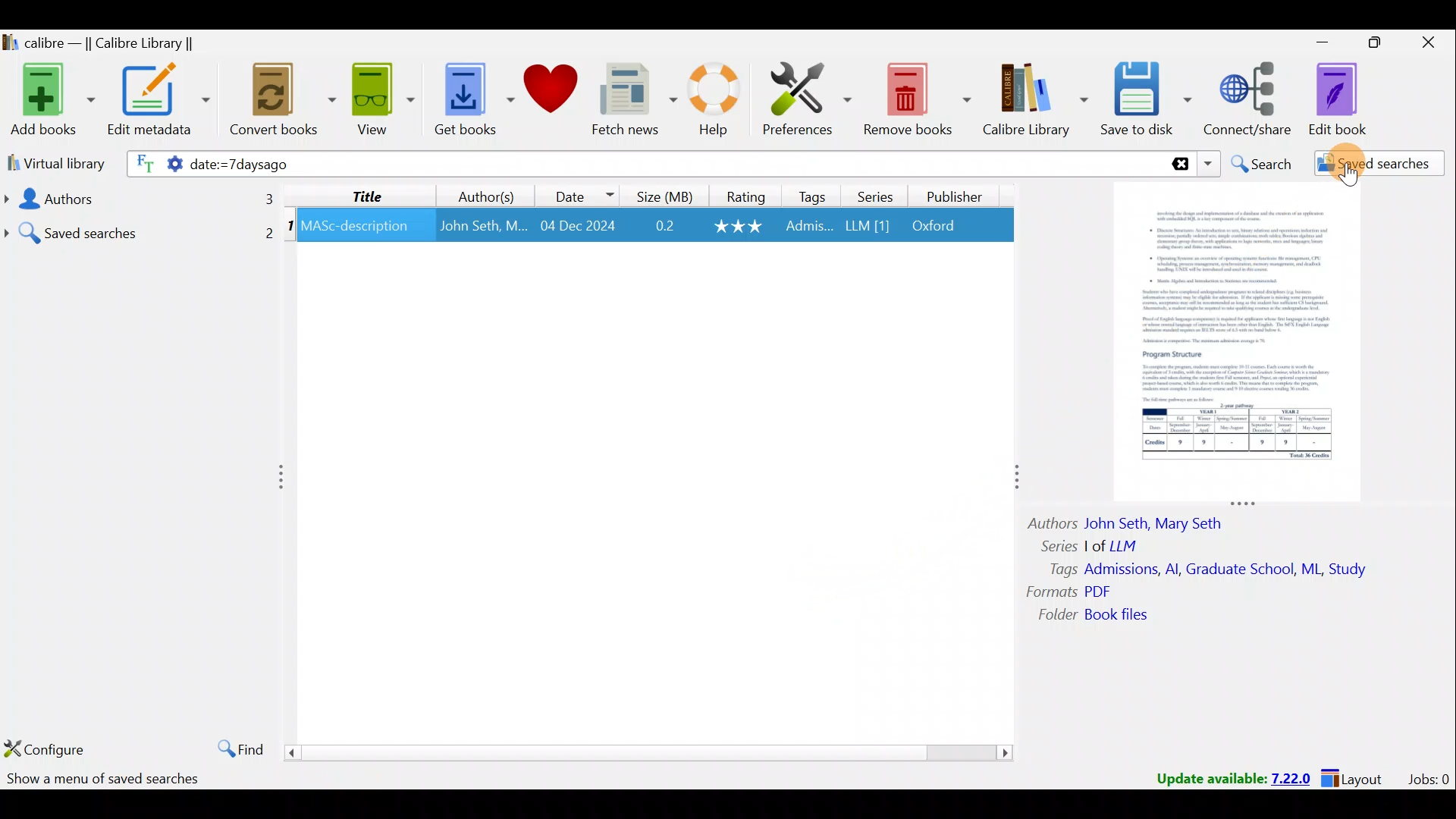 This screenshot has height=819, width=1456. Describe the element at coordinates (550, 91) in the screenshot. I see `Donate` at that location.